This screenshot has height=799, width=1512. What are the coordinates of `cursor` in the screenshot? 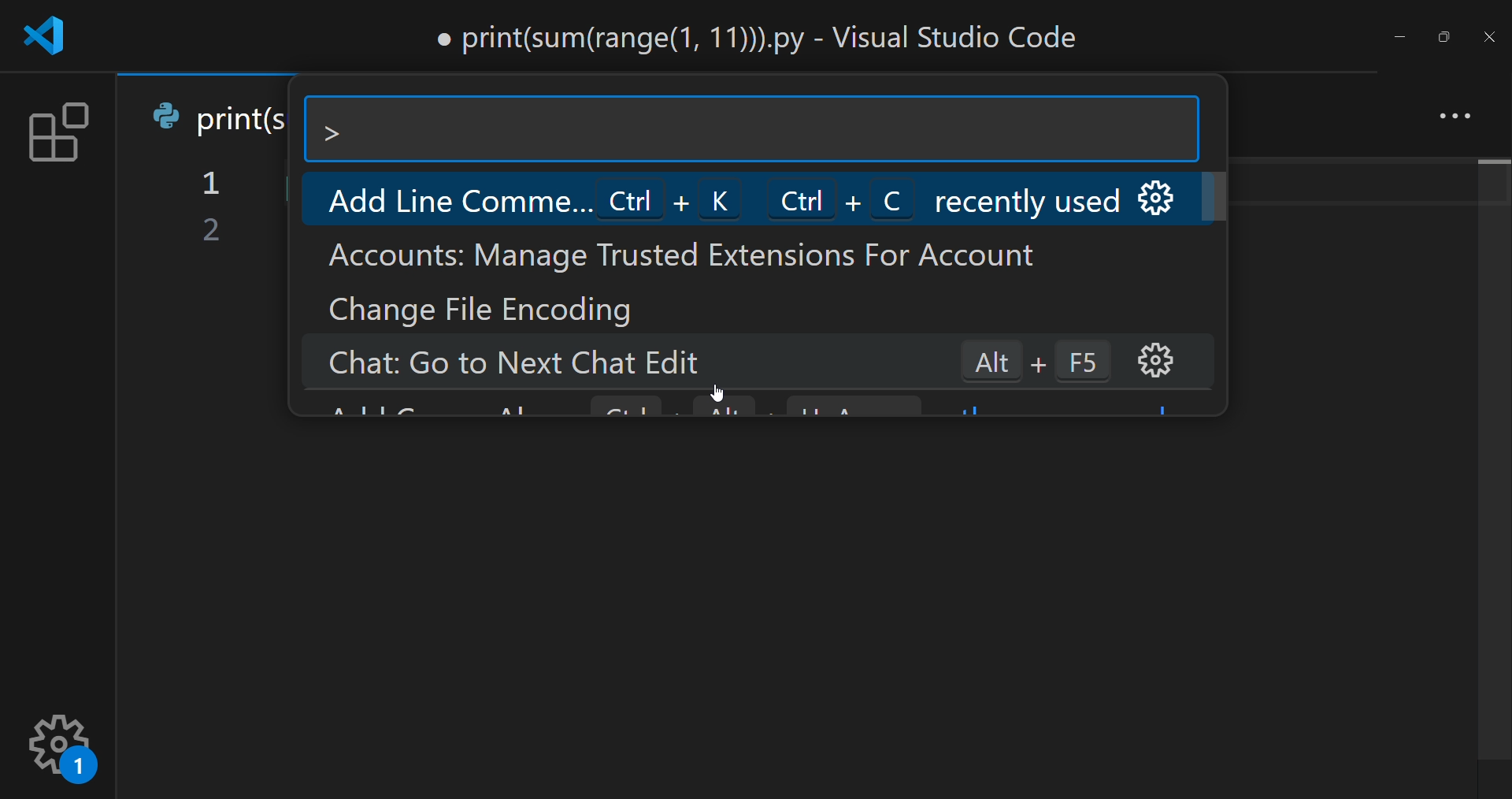 It's located at (727, 388).